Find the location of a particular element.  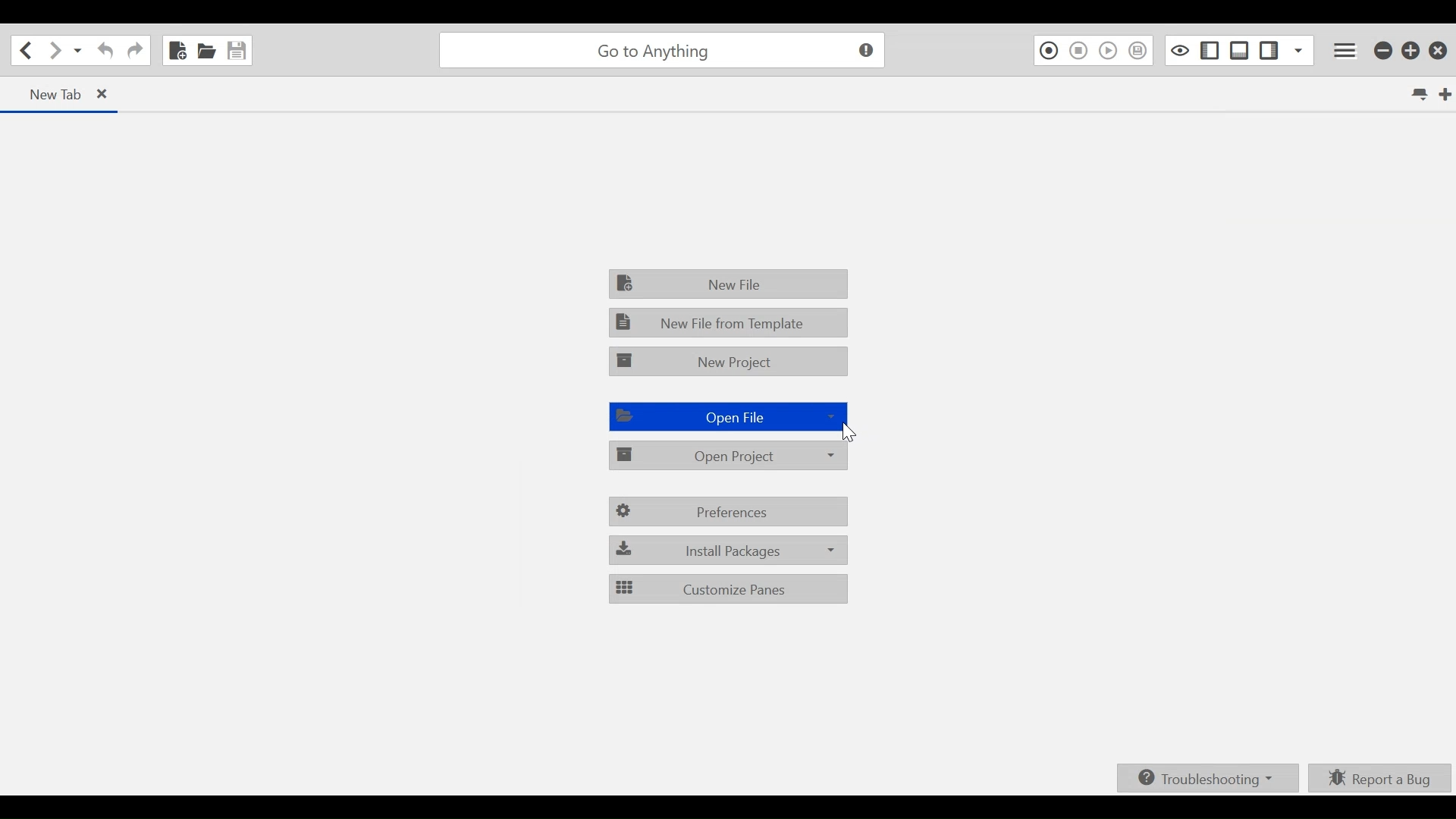

Search is located at coordinates (659, 49).